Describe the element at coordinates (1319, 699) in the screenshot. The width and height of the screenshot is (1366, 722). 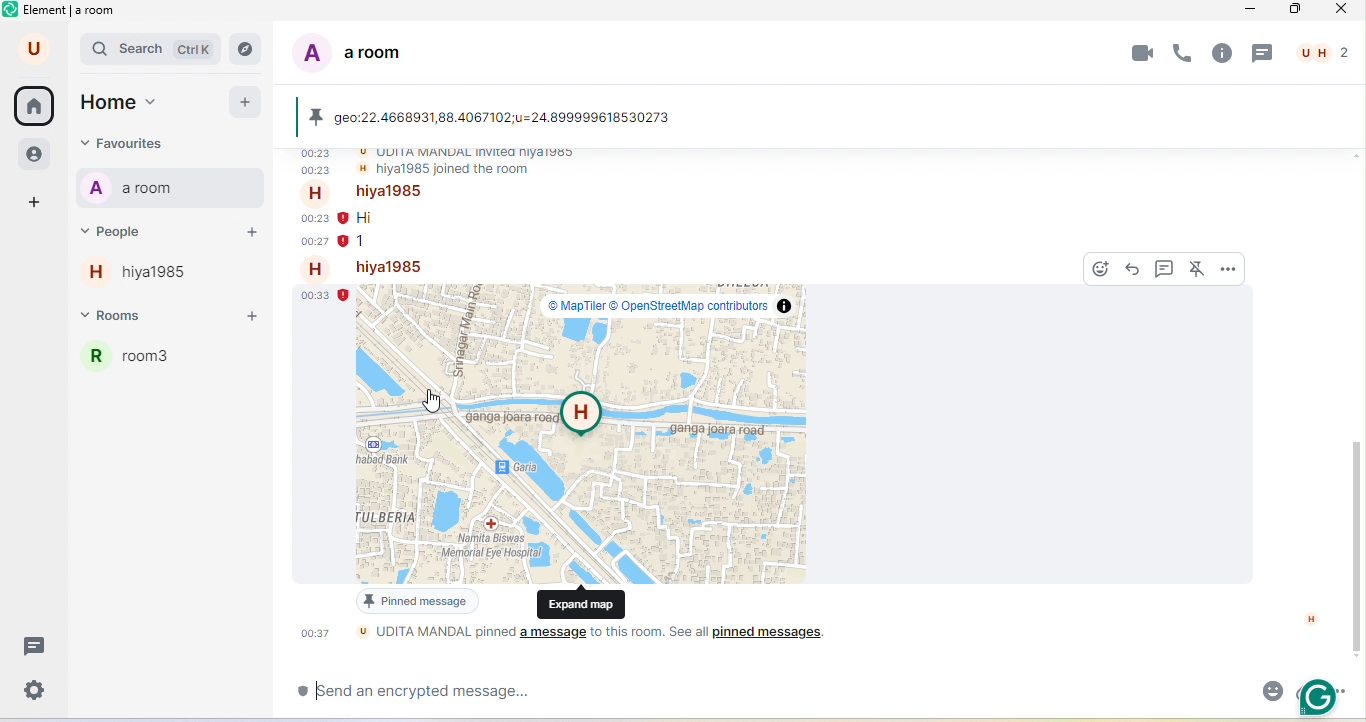
I see `grammarly extension` at that location.